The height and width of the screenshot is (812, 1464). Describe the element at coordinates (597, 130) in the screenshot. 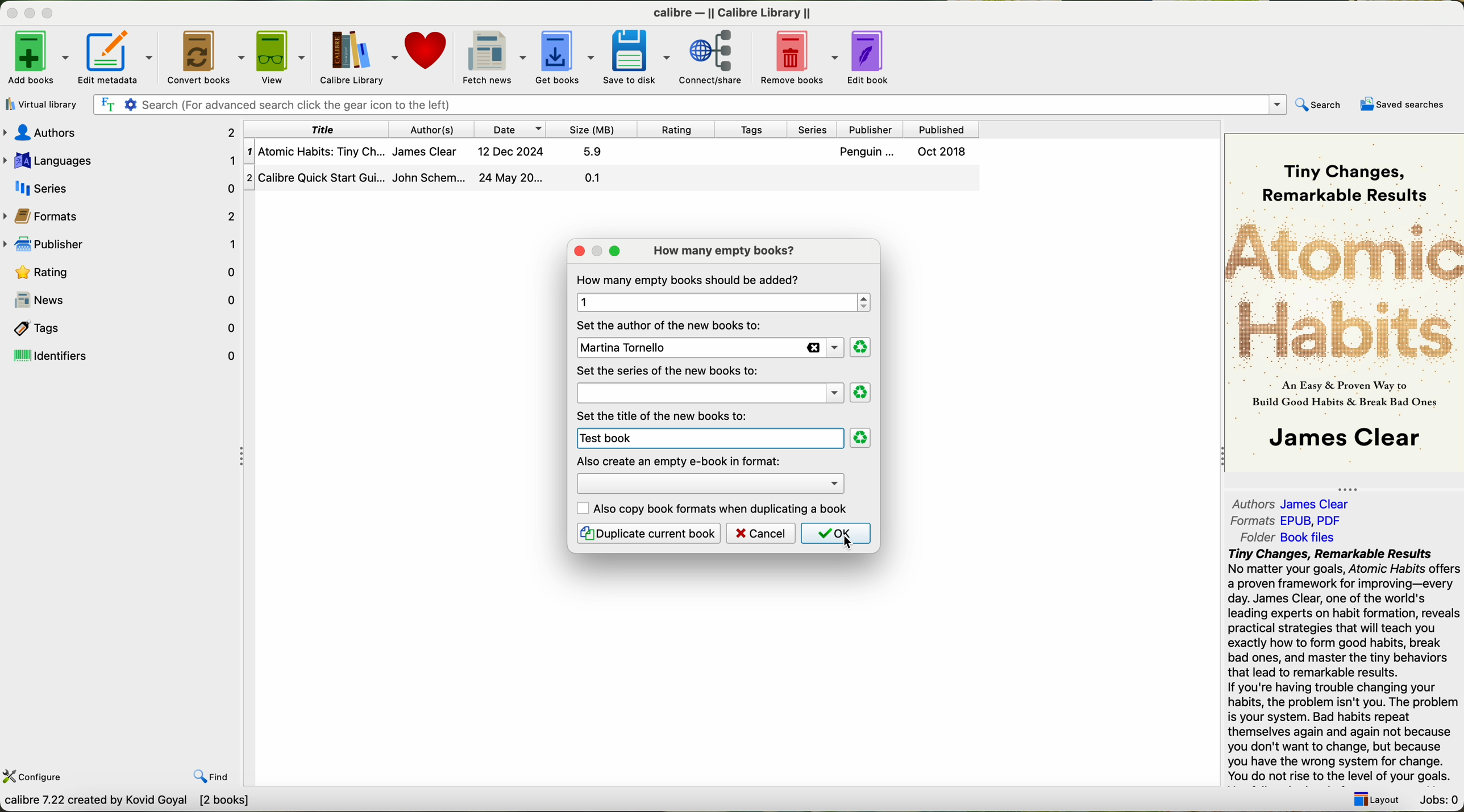

I see `size` at that location.